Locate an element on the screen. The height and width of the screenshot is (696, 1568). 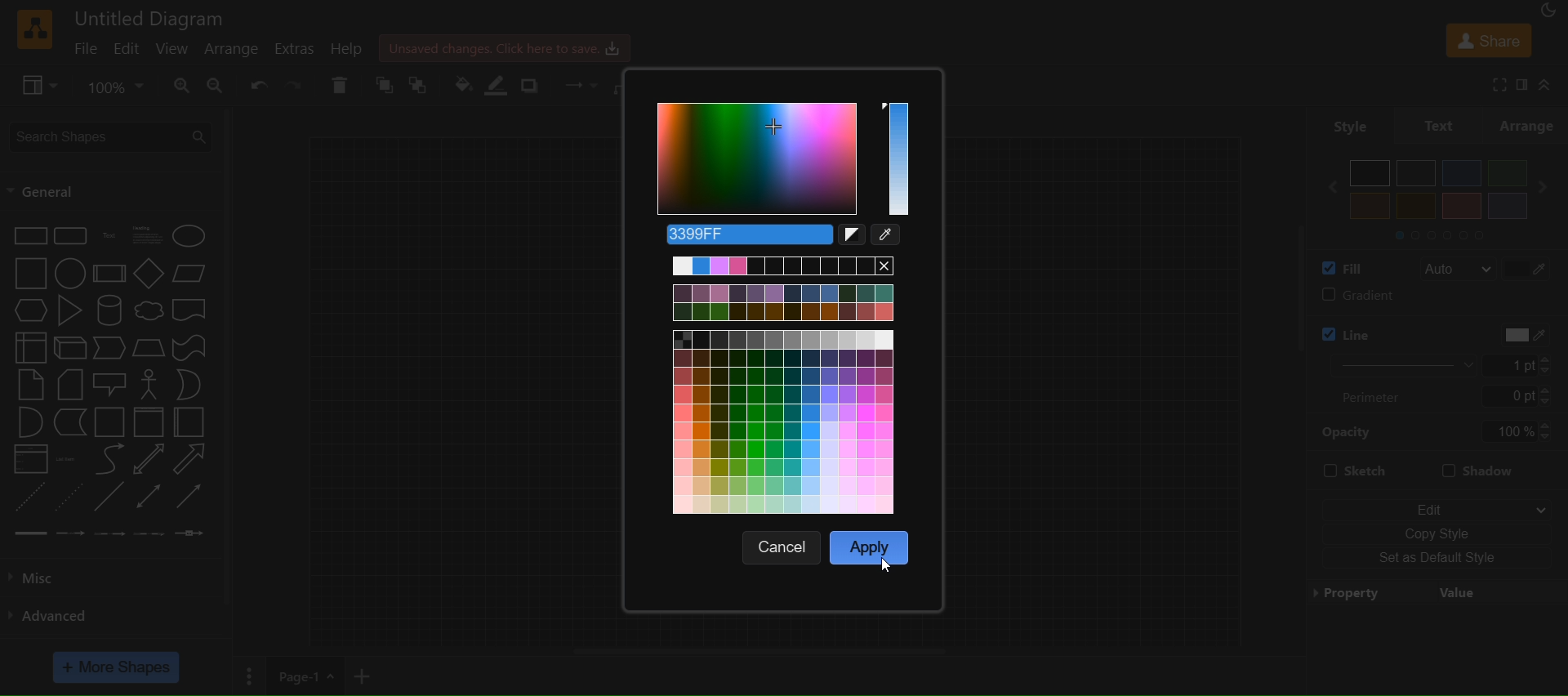
ellipse is located at coordinates (192, 235).